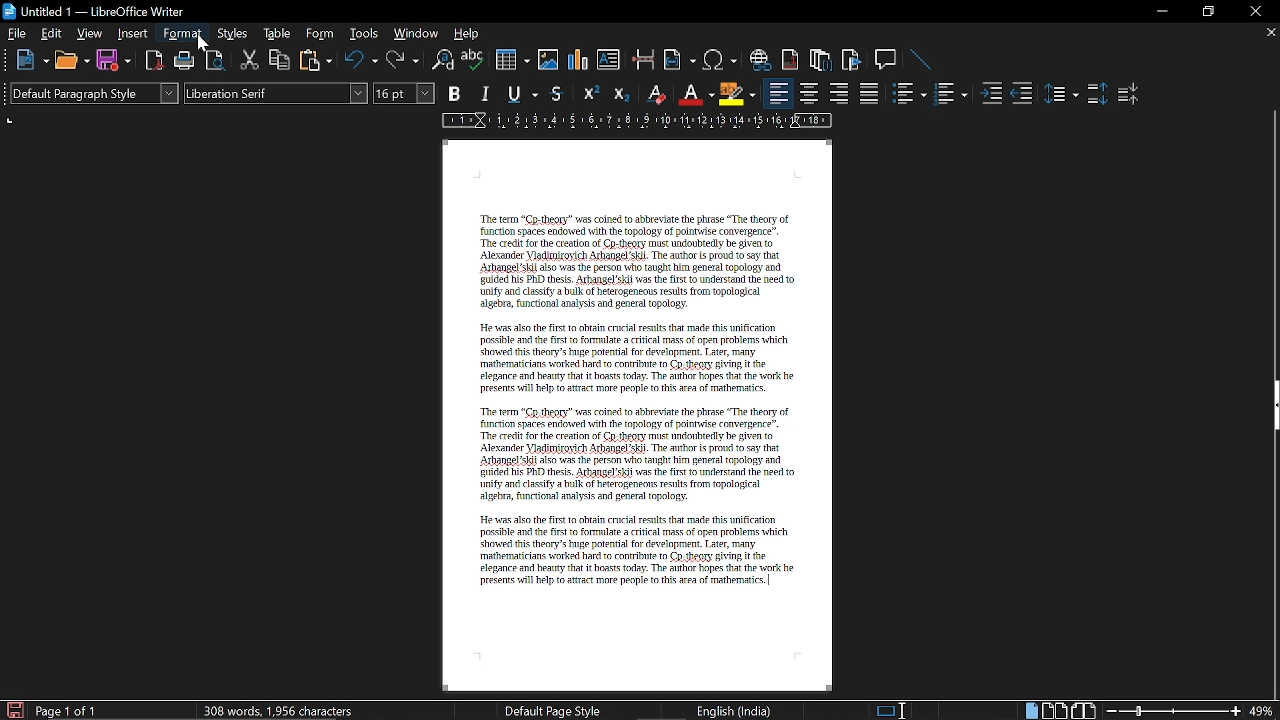 This screenshot has width=1280, height=720. I want to click on Increase indent, so click(994, 93).